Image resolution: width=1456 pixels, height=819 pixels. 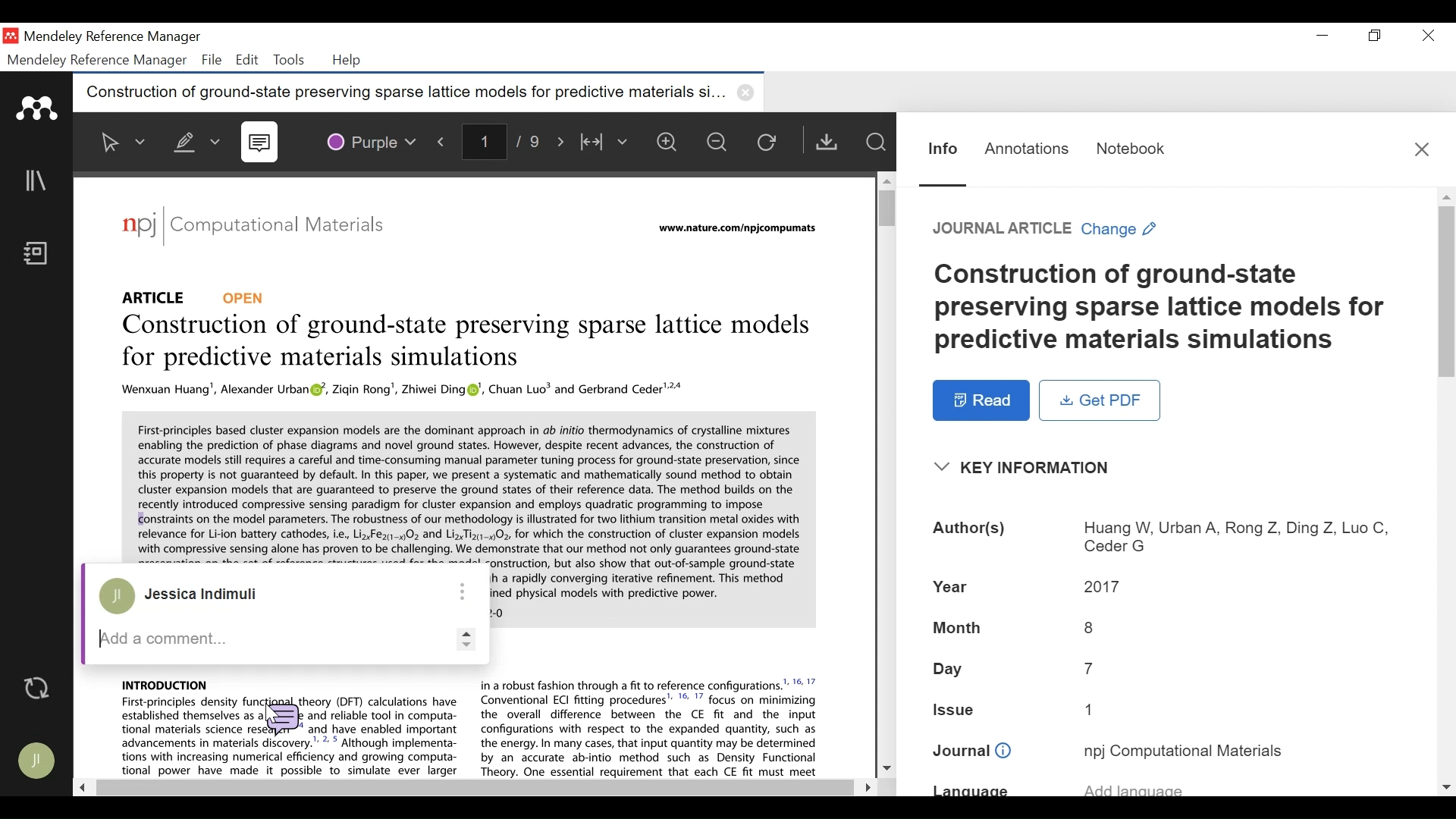 I want to click on File, so click(x=212, y=60).